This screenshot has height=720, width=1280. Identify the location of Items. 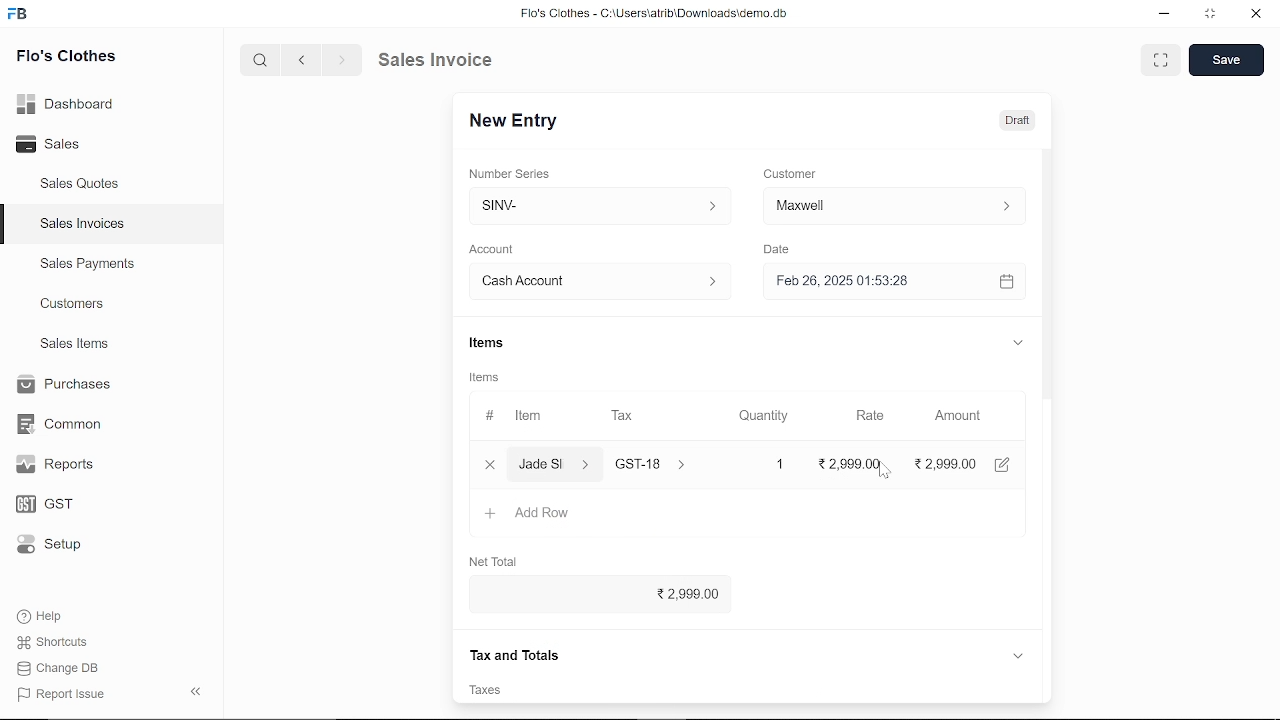
(485, 345).